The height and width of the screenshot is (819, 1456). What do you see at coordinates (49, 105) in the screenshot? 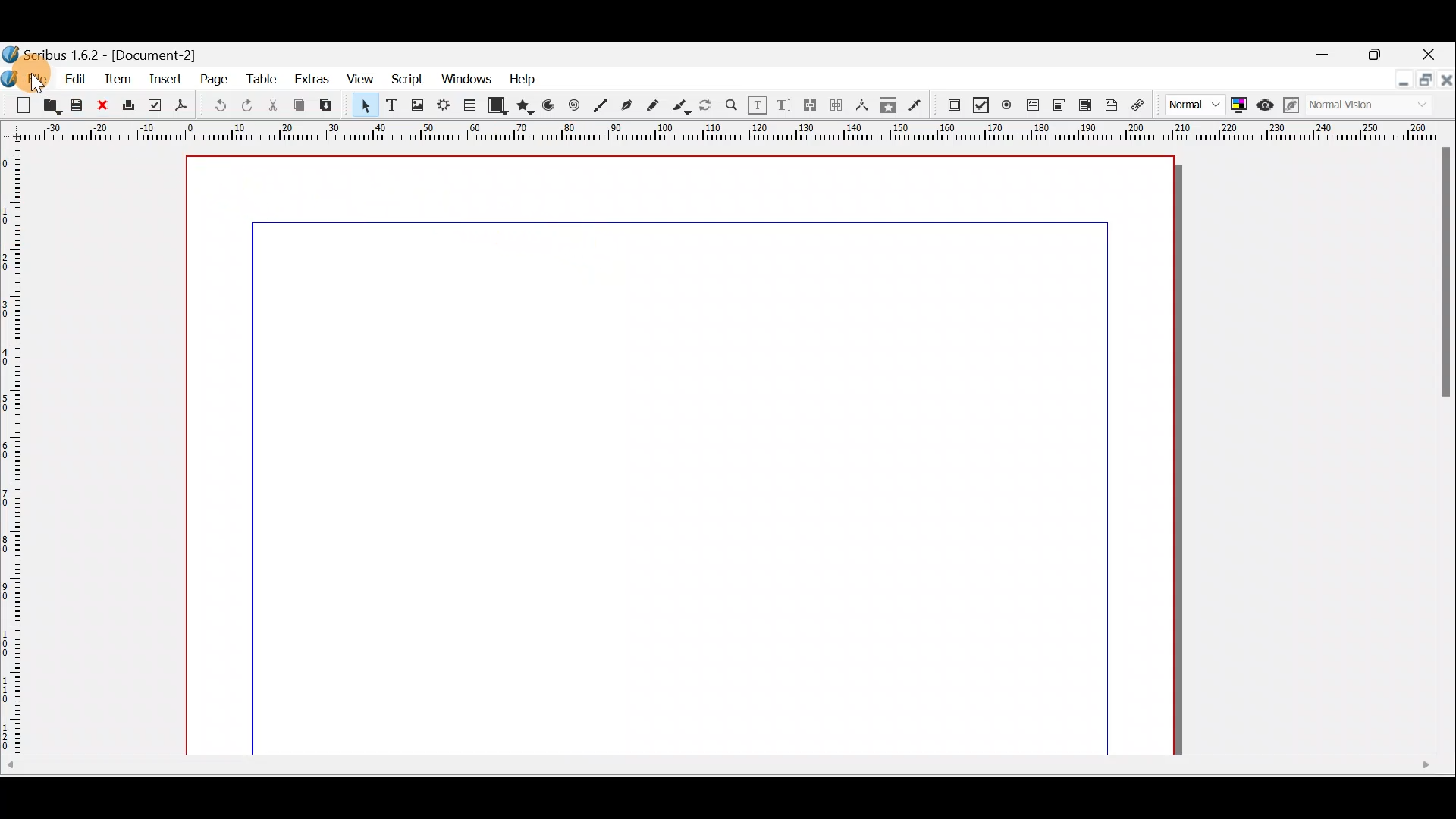
I see `Open` at bounding box center [49, 105].